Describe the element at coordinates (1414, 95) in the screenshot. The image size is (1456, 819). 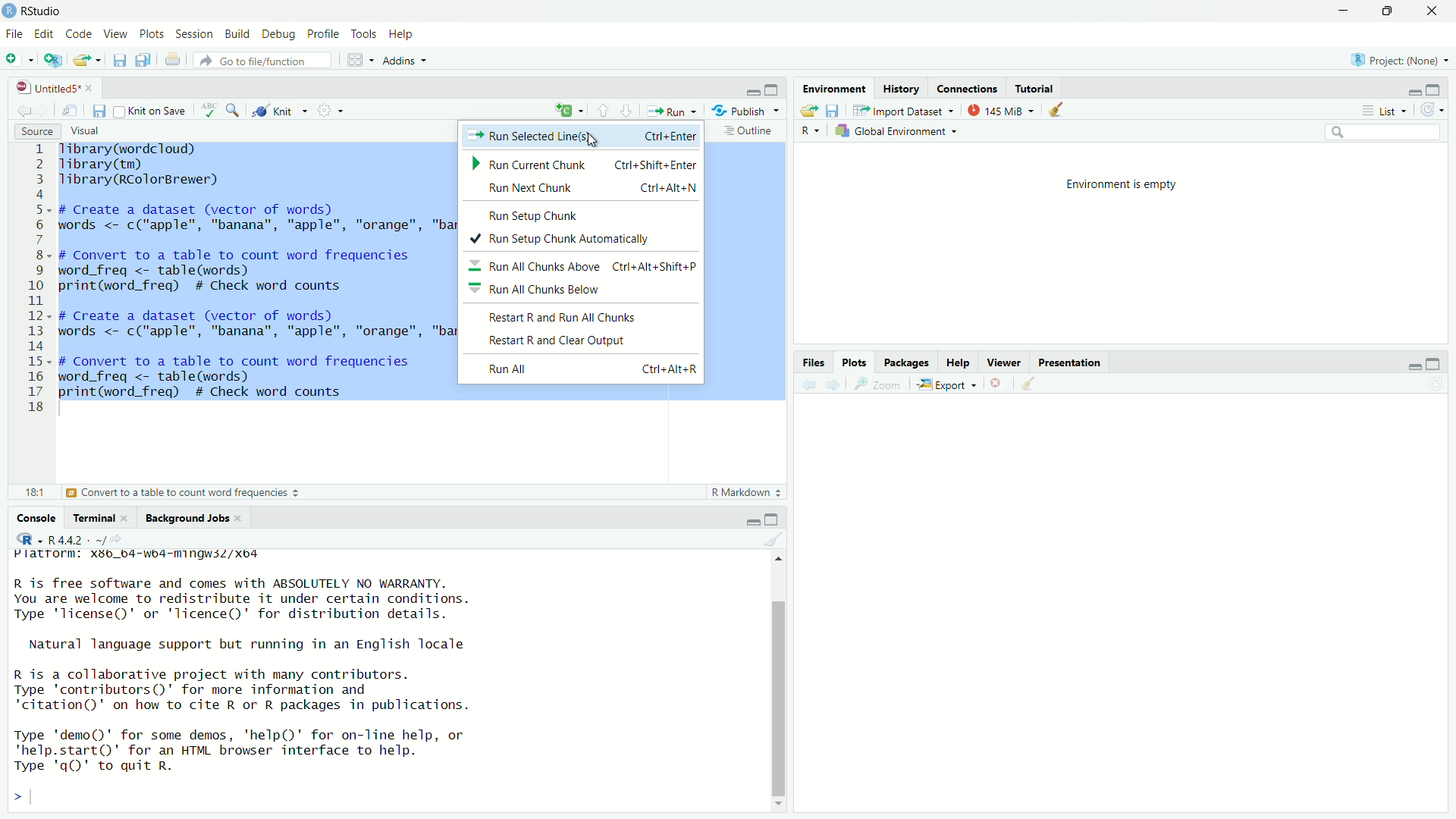
I see `Minimize` at that location.